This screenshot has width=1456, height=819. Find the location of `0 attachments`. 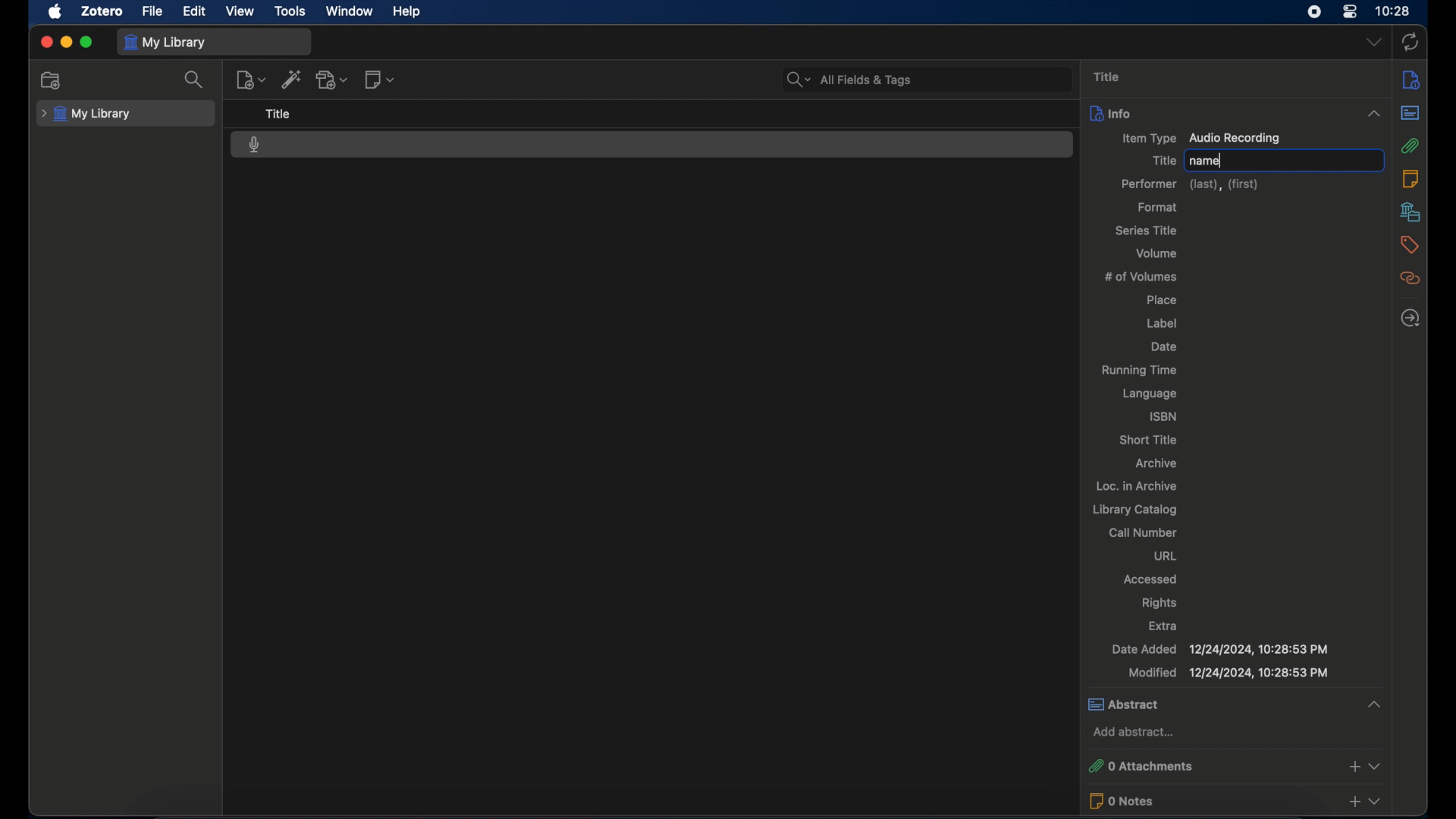

0 attachments is located at coordinates (1236, 764).